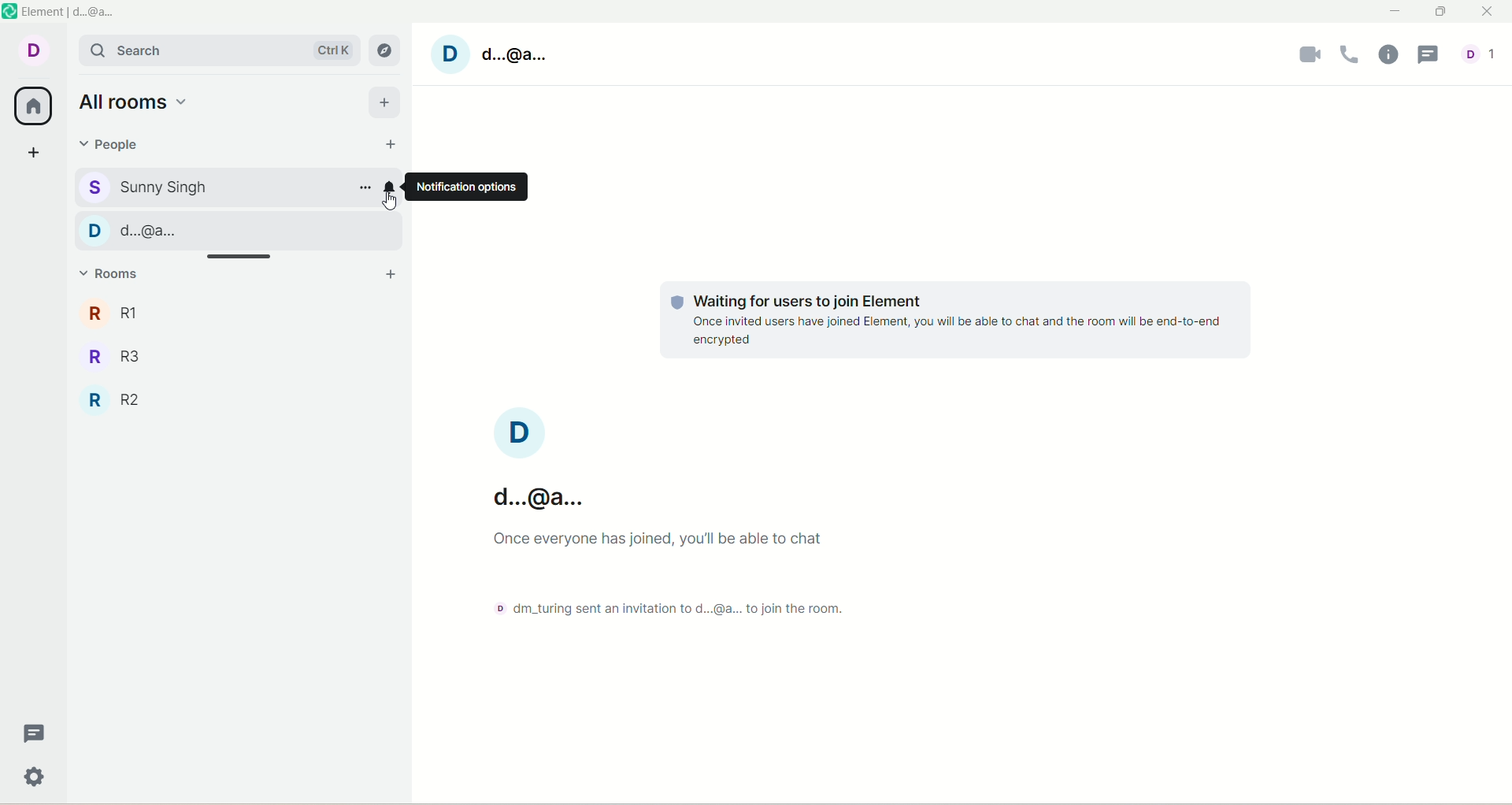 Image resolution: width=1512 pixels, height=805 pixels. What do you see at coordinates (114, 143) in the screenshot?
I see `people` at bounding box center [114, 143].